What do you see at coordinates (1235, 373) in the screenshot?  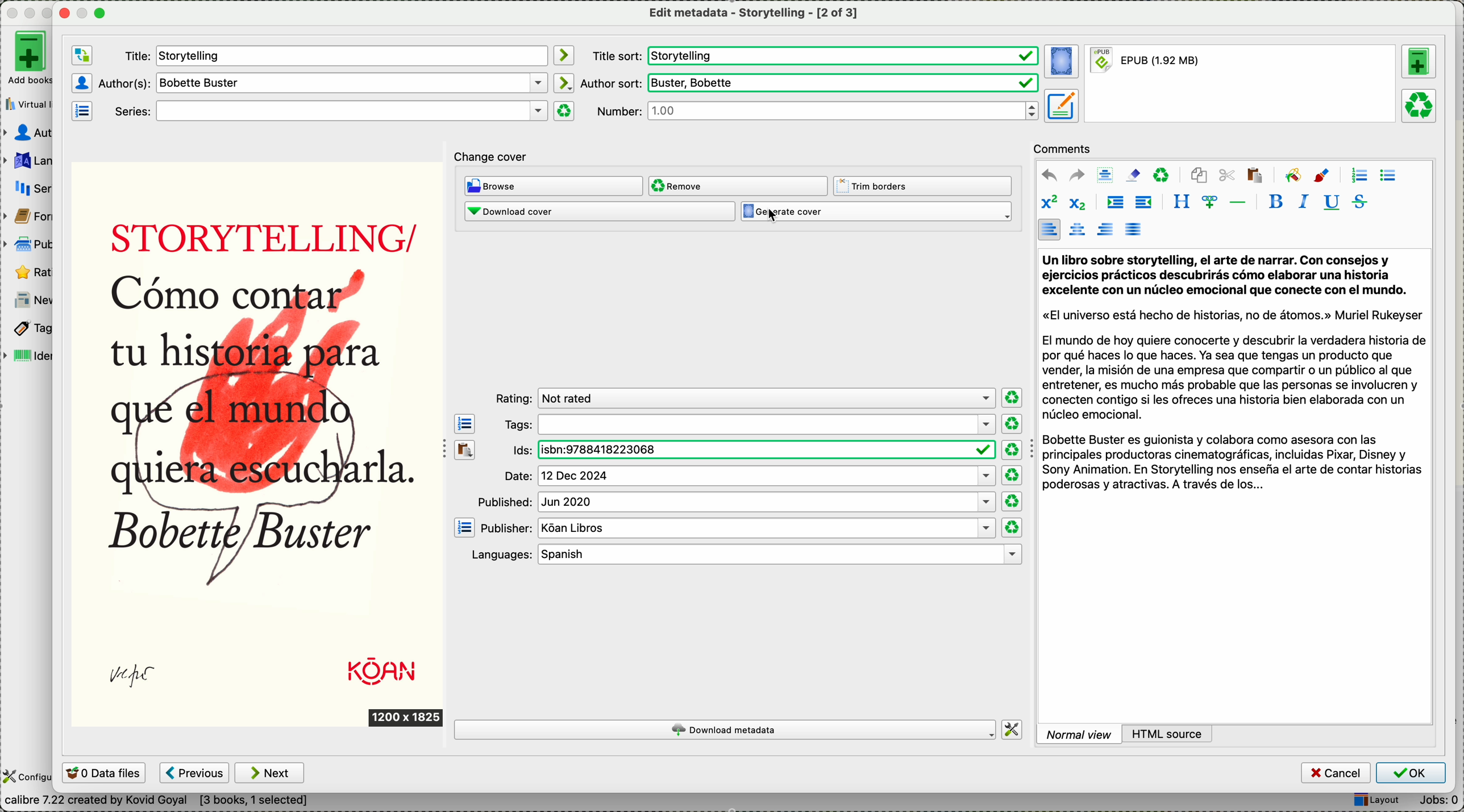 I see `synopsis` at bounding box center [1235, 373].